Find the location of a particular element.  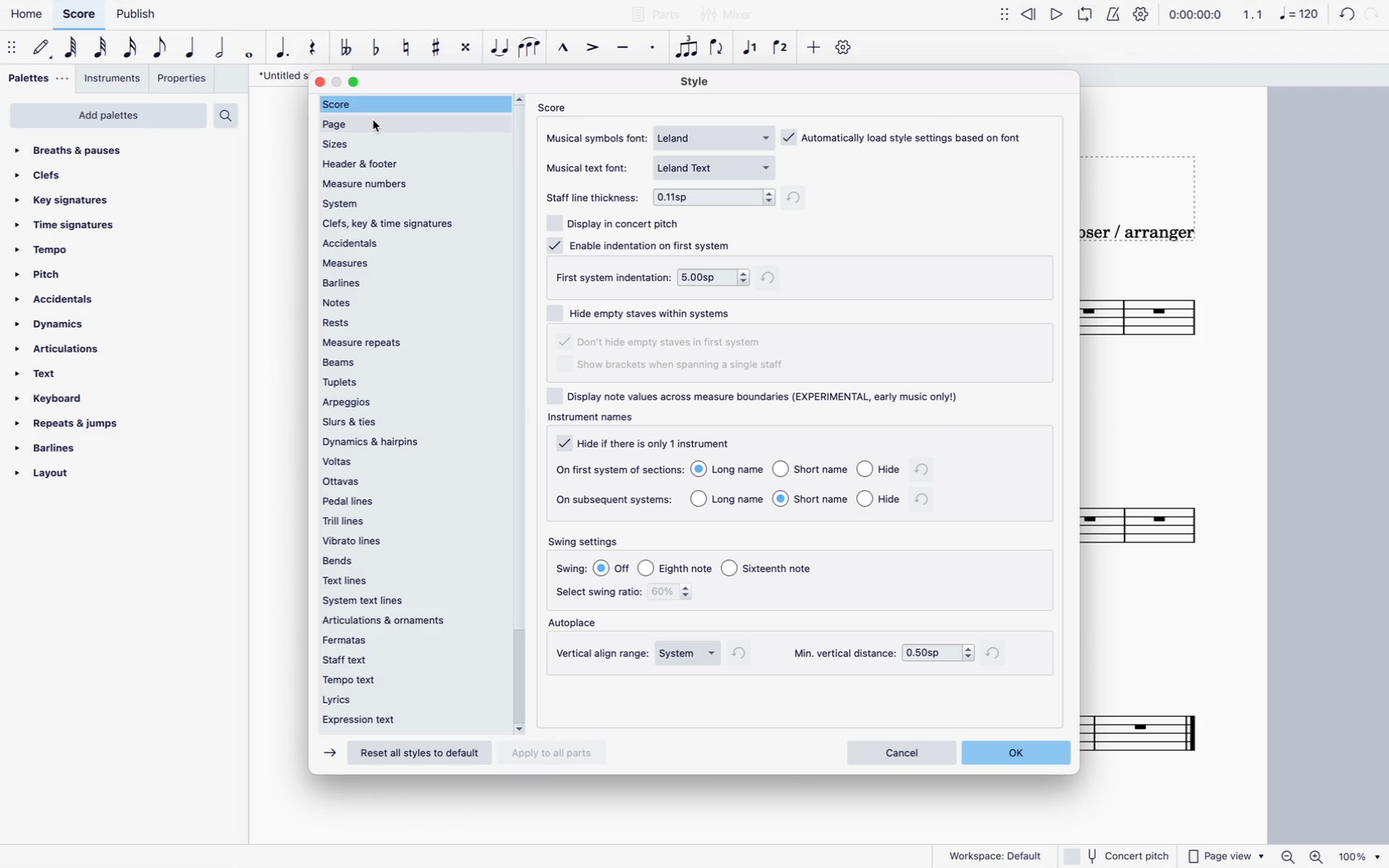

measure repeats is located at coordinates (408, 341).